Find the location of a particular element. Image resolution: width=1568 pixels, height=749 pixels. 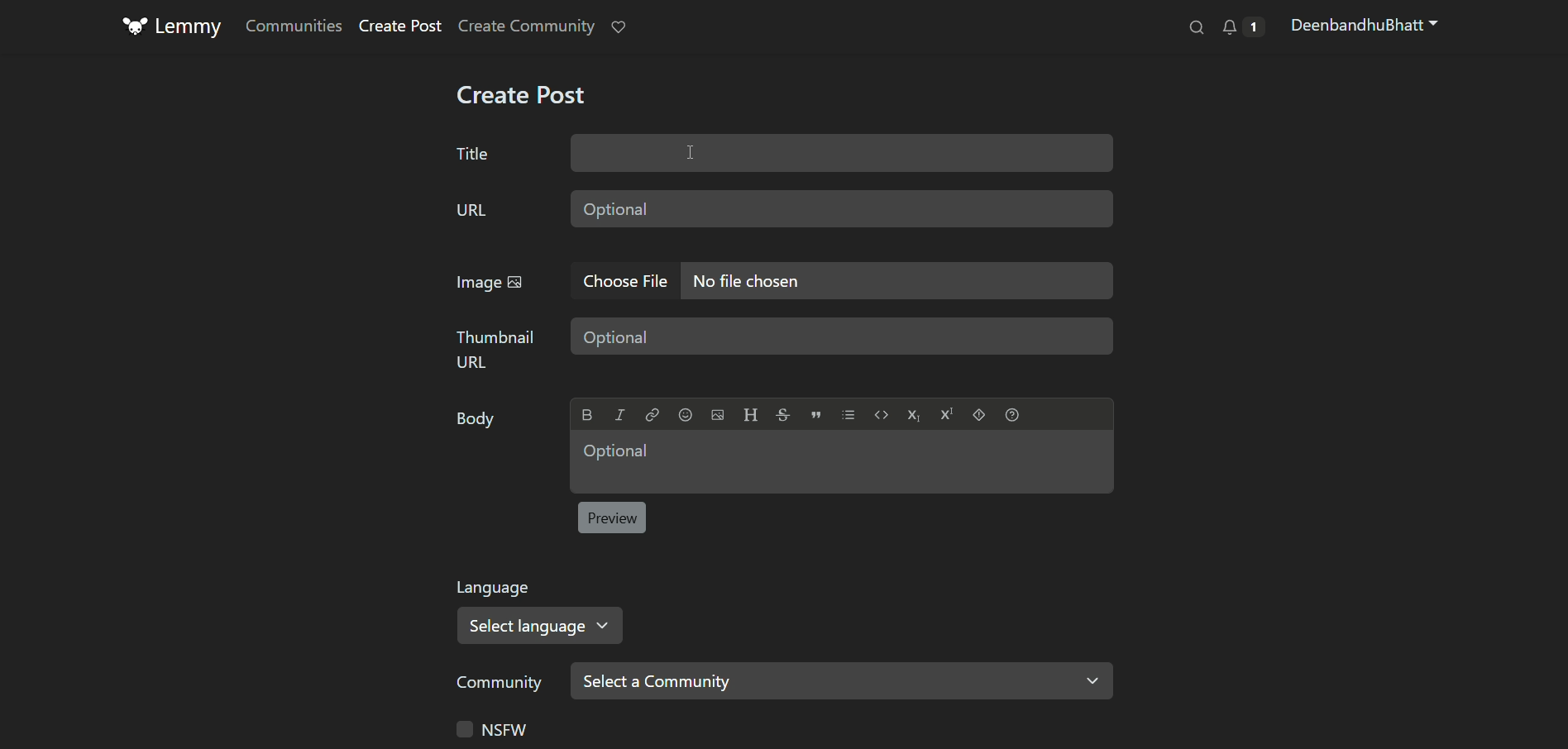

logo and title is located at coordinates (174, 28).